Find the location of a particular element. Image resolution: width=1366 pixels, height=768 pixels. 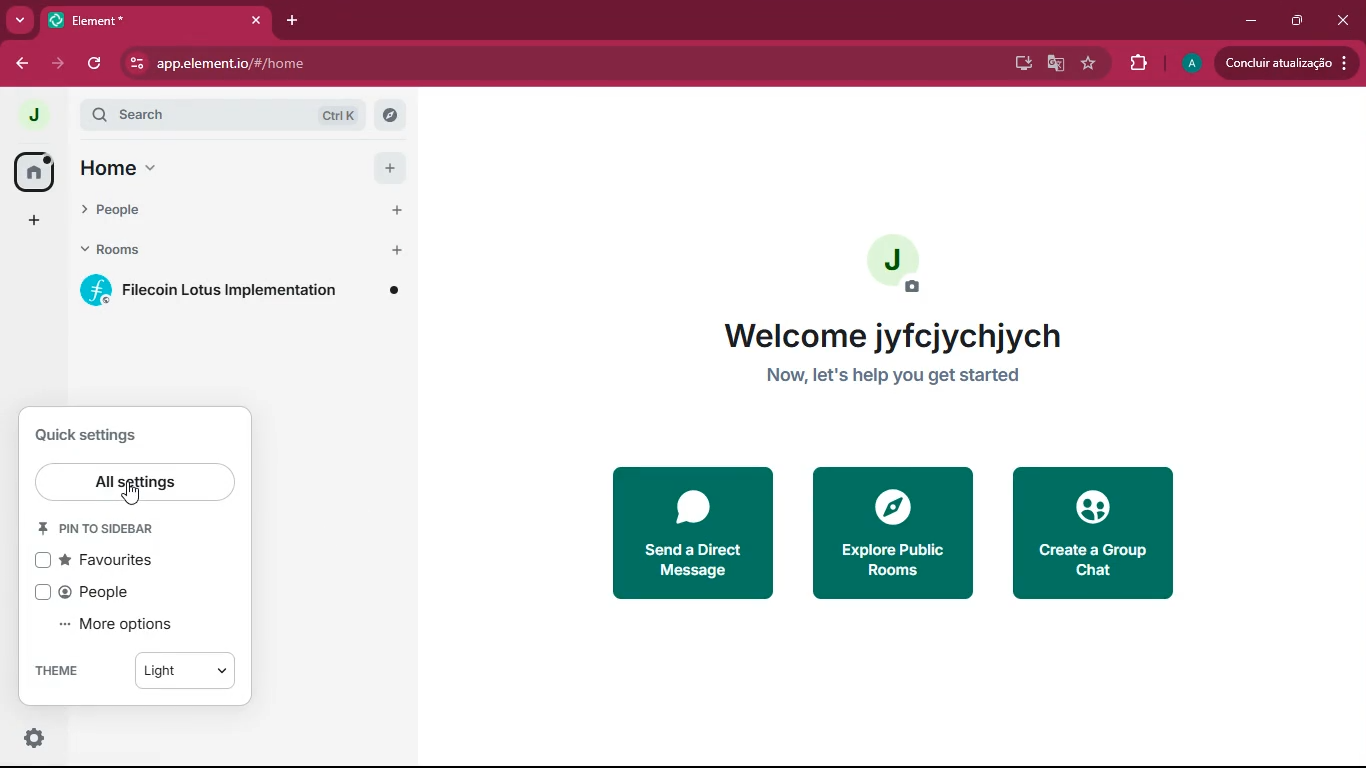

people is located at coordinates (94, 592).